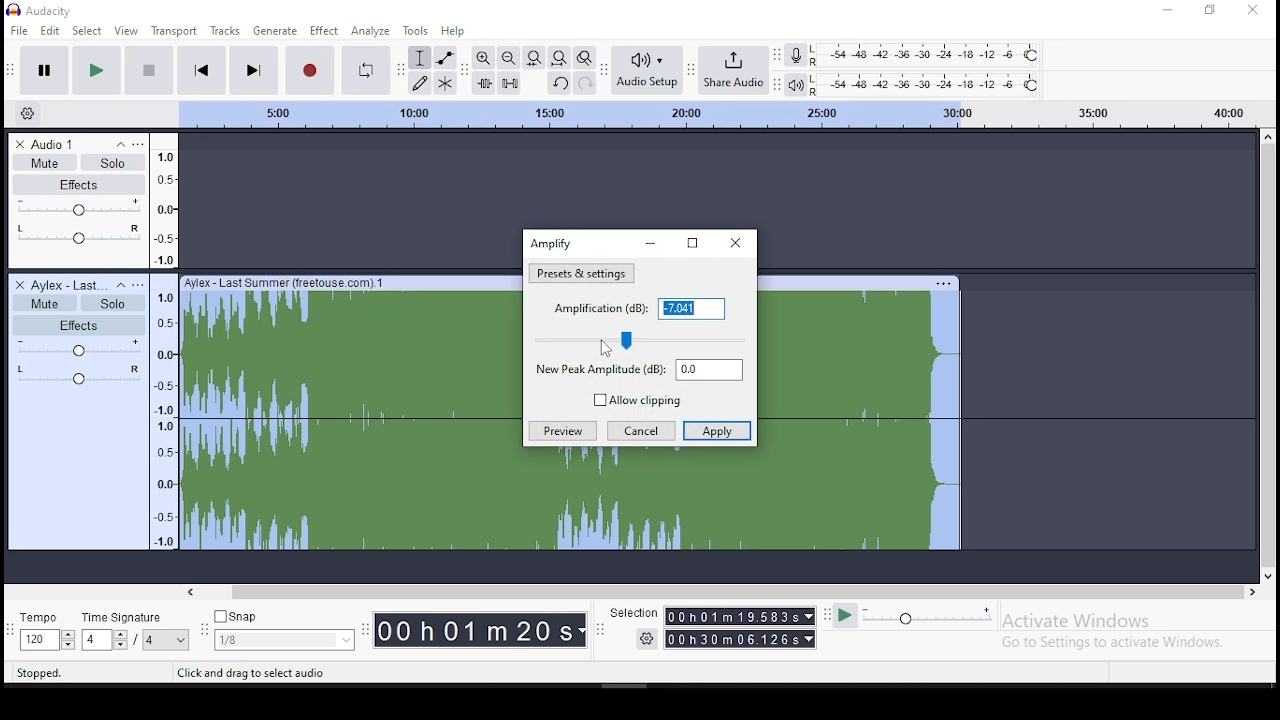 The height and width of the screenshot is (720, 1280). Describe the element at coordinates (736, 68) in the screenshot. I see `share audio` at that location.